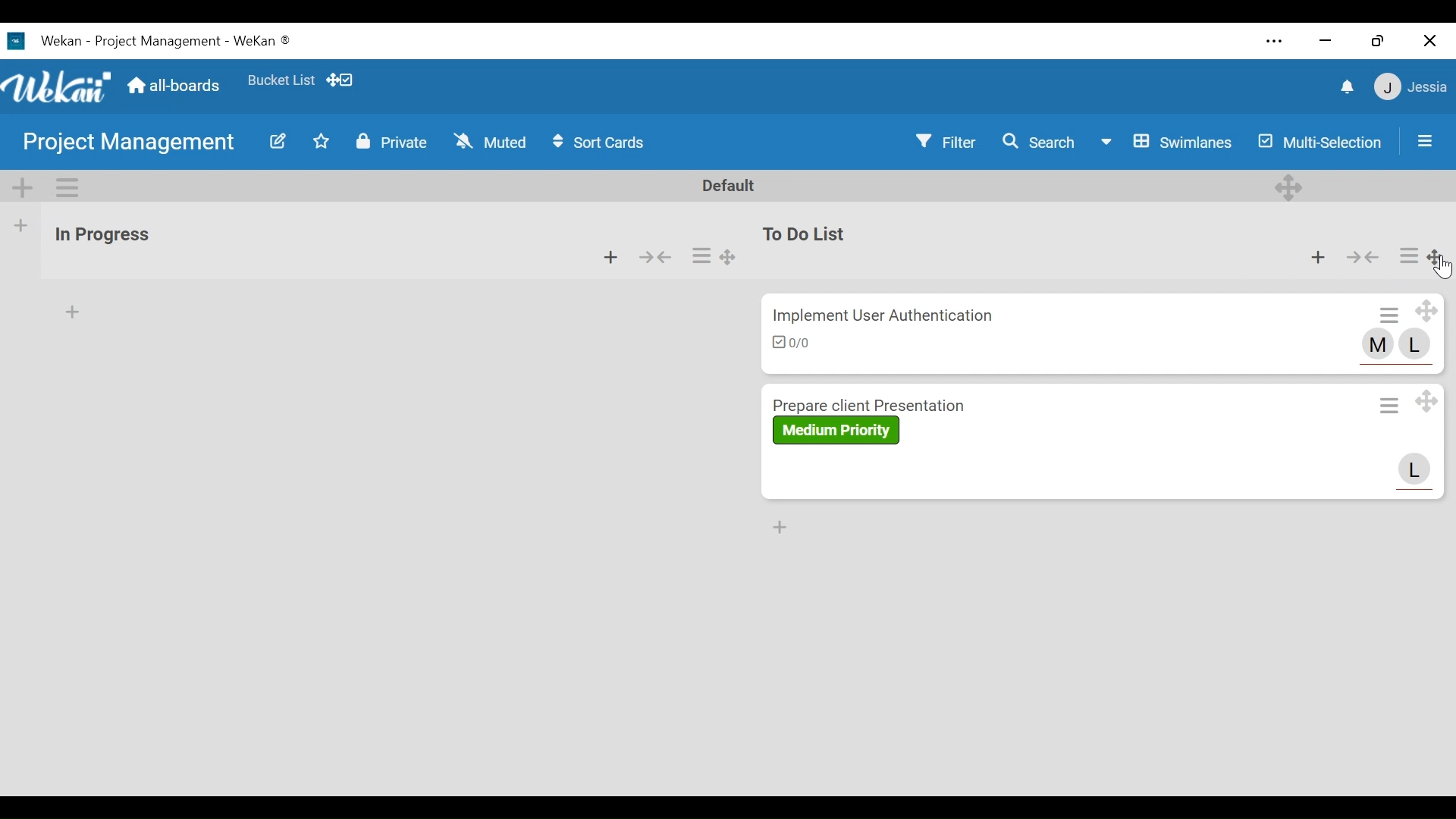 Image resolution: width=1456 pixels, height=819 pixels. I want to click on List, so click(169, 242).